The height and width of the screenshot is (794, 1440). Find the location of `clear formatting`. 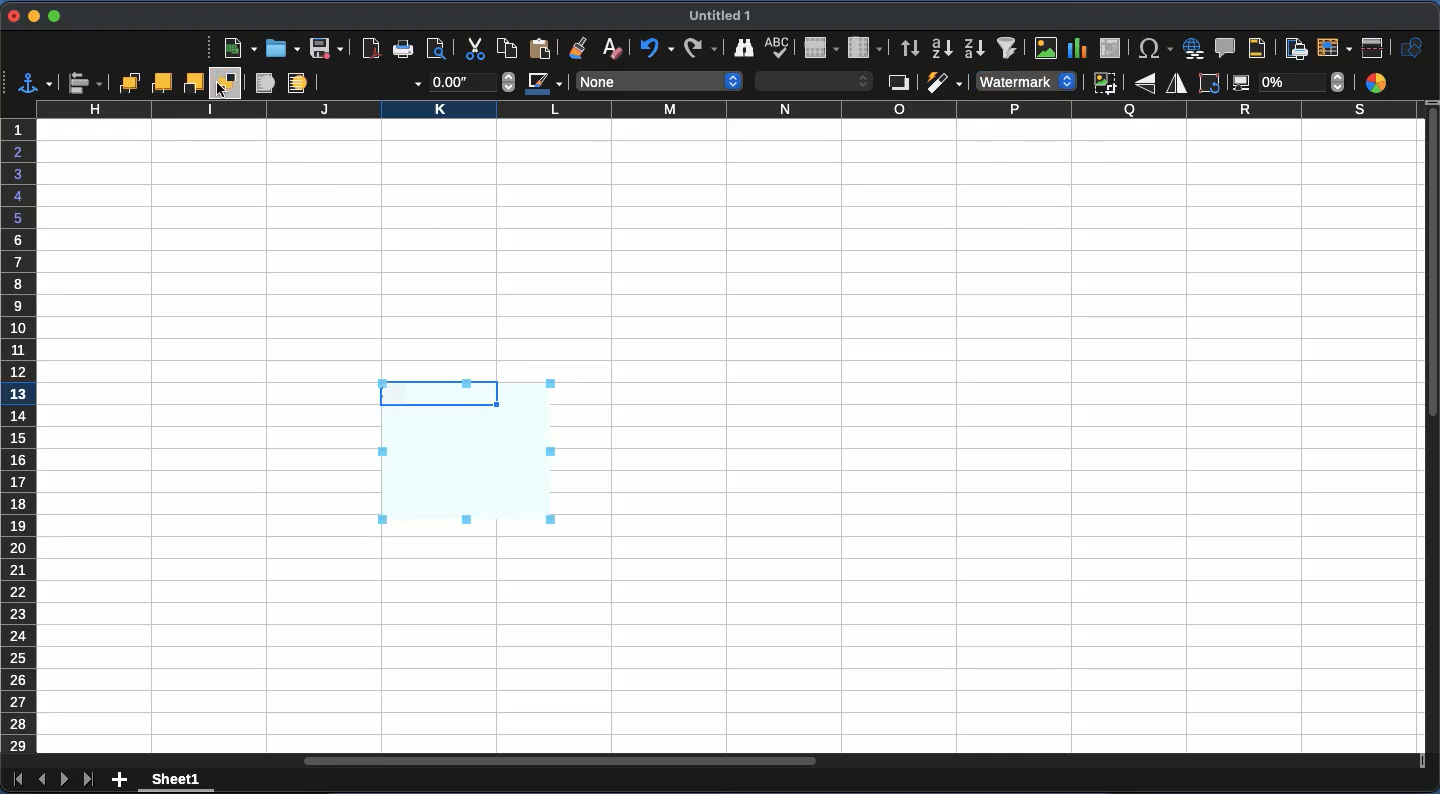

clear formatting is located at coordinates (619, 47).